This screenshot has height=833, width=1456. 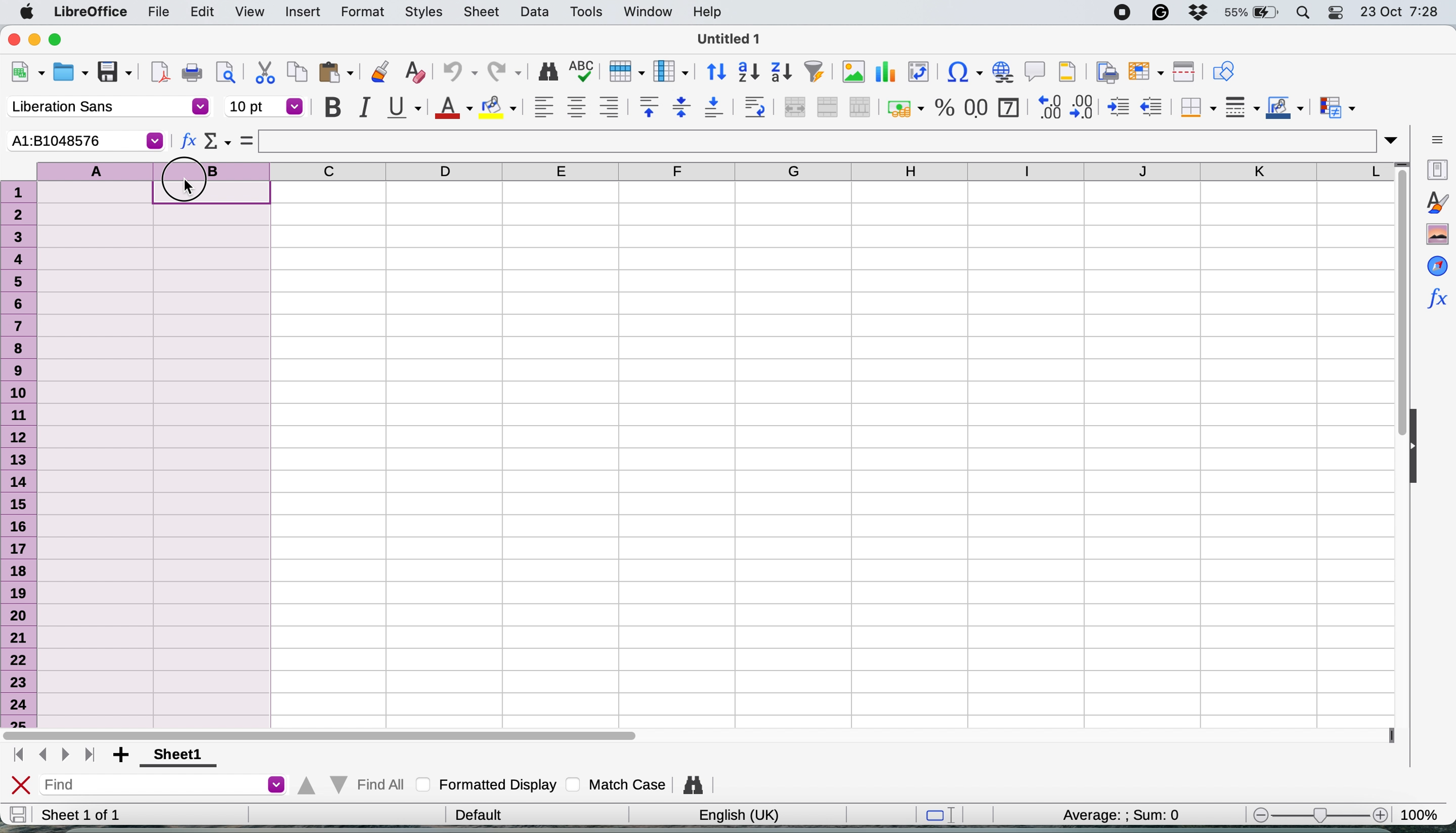 I want to click on borders, so click(x=1195, y=106).